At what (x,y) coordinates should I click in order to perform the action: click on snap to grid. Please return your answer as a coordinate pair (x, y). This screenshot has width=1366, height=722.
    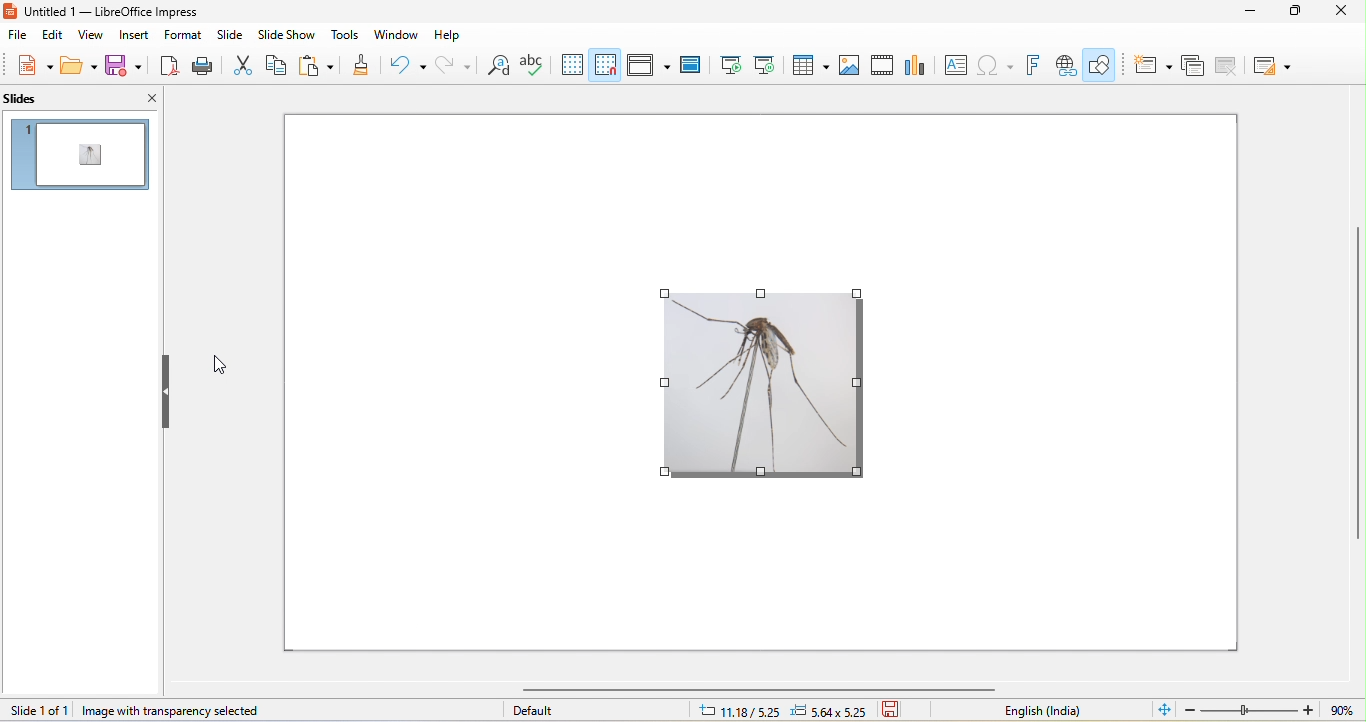
    Looking at the image, I should click on (604, 65).